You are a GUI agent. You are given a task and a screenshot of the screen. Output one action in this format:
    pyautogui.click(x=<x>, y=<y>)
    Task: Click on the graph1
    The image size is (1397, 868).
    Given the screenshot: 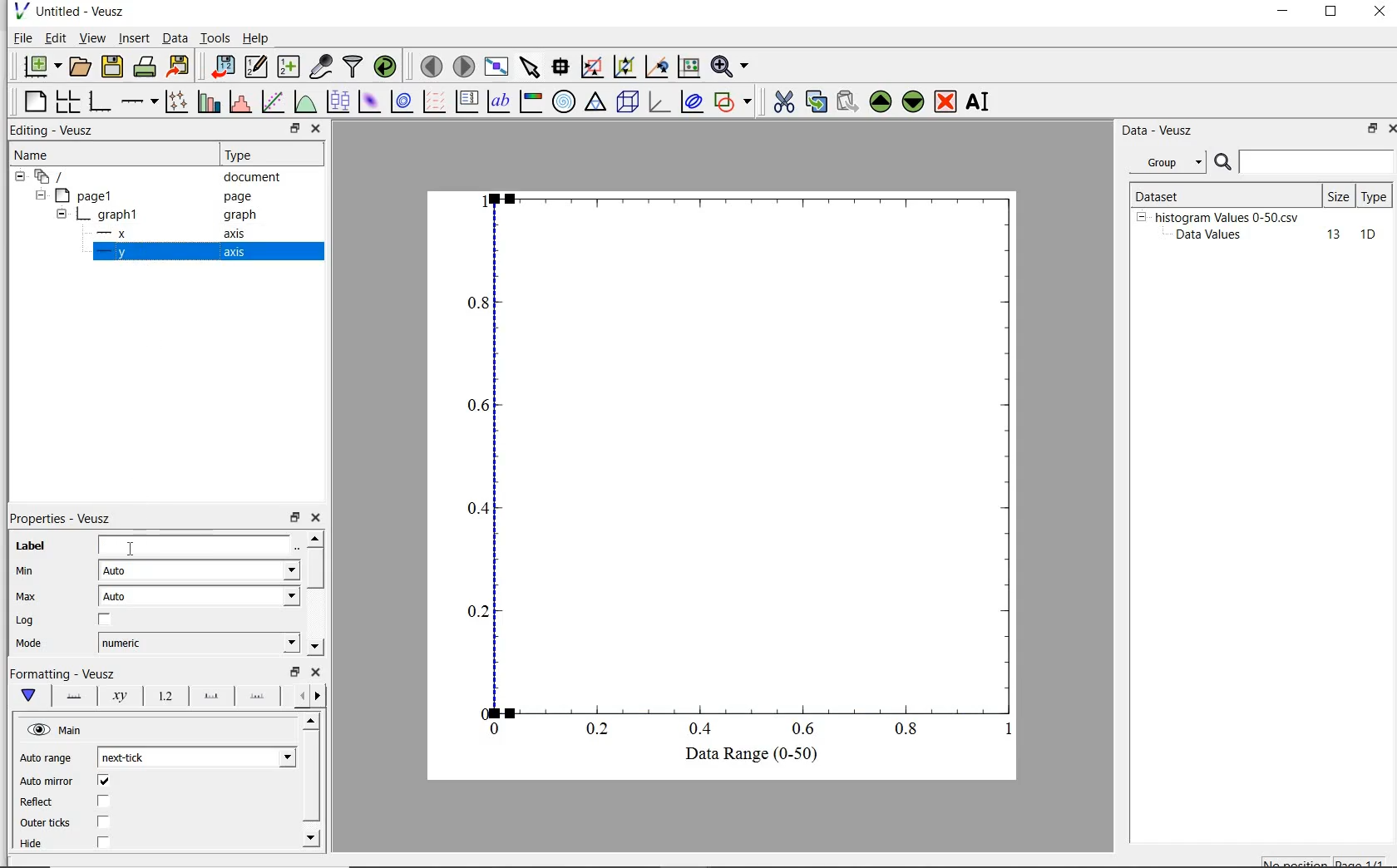 What is the action you would take?
    pyautogui.click(x=111, y=217)
    